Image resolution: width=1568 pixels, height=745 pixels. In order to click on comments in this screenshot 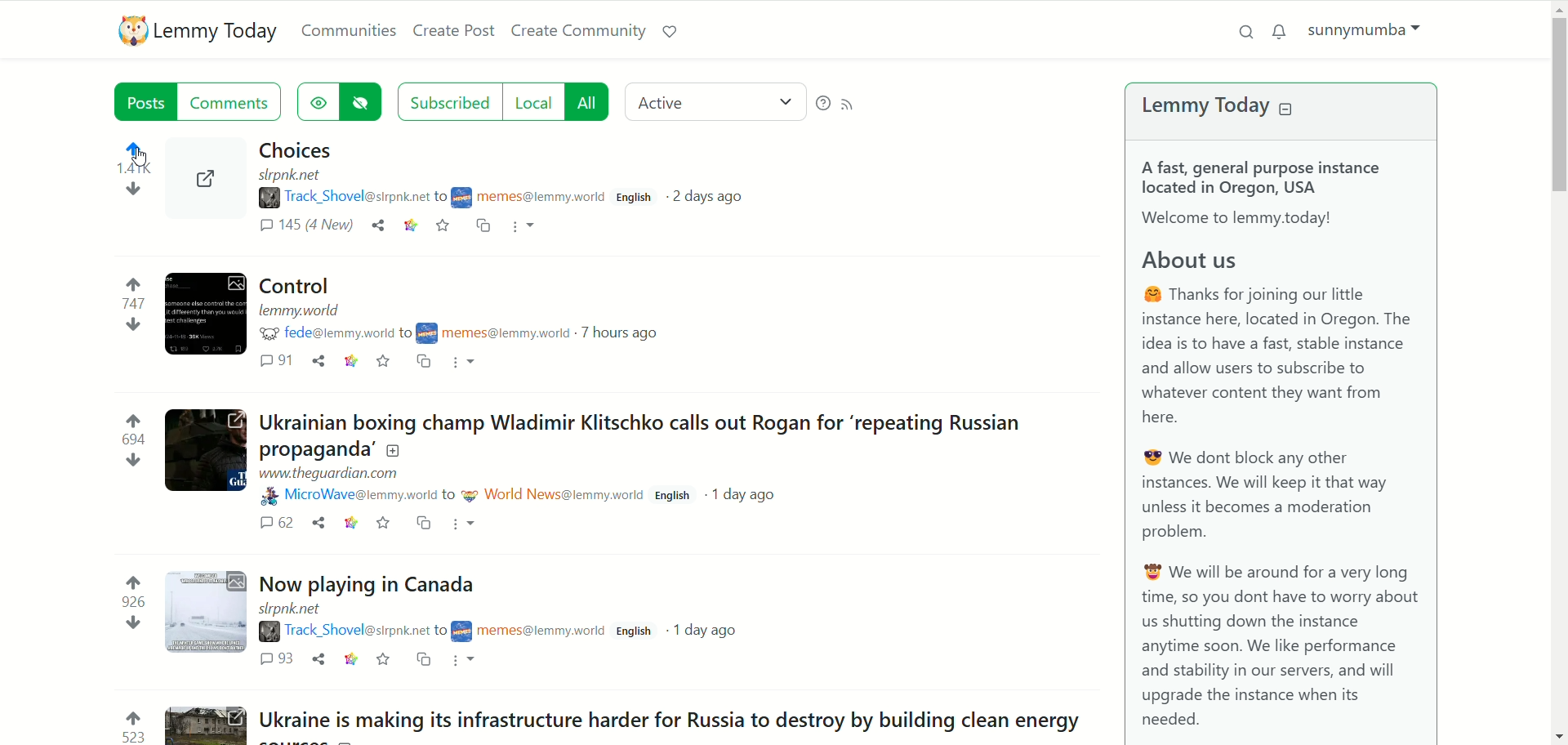, I will do `click(234, 101)`.